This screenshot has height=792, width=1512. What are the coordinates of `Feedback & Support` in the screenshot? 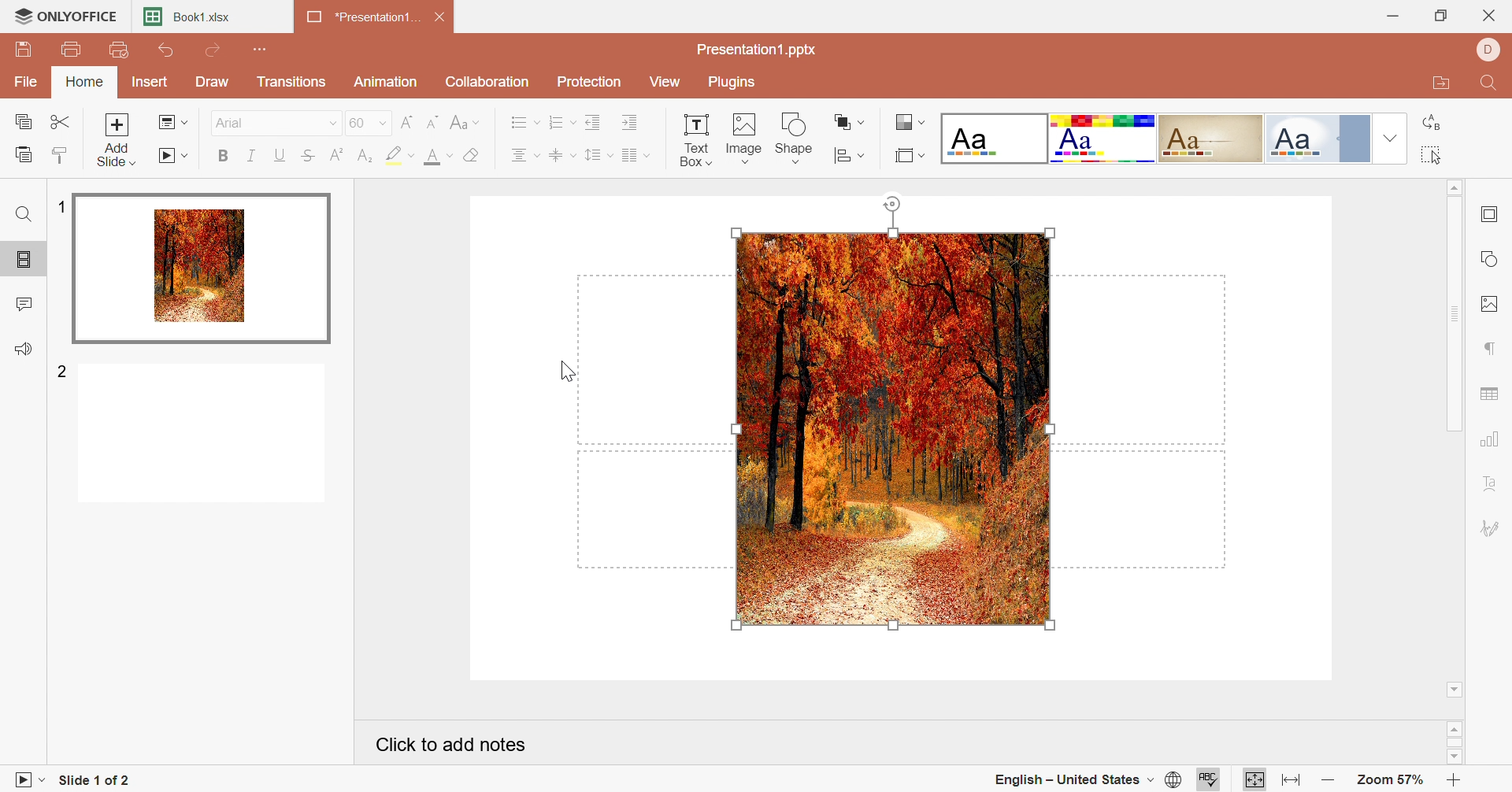 It's located at (24, 348).